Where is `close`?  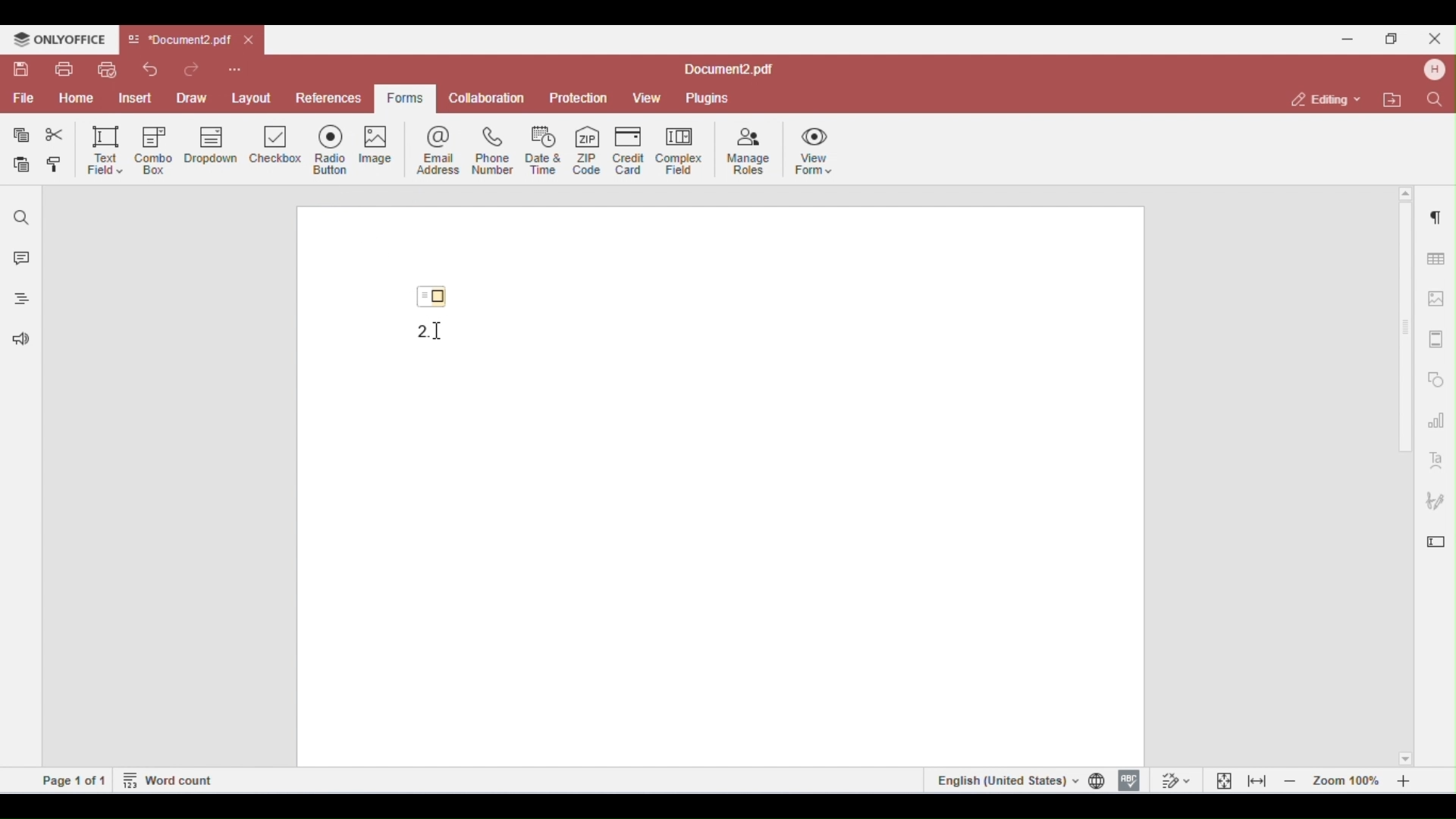 close is located at coordinates (1433, 38).